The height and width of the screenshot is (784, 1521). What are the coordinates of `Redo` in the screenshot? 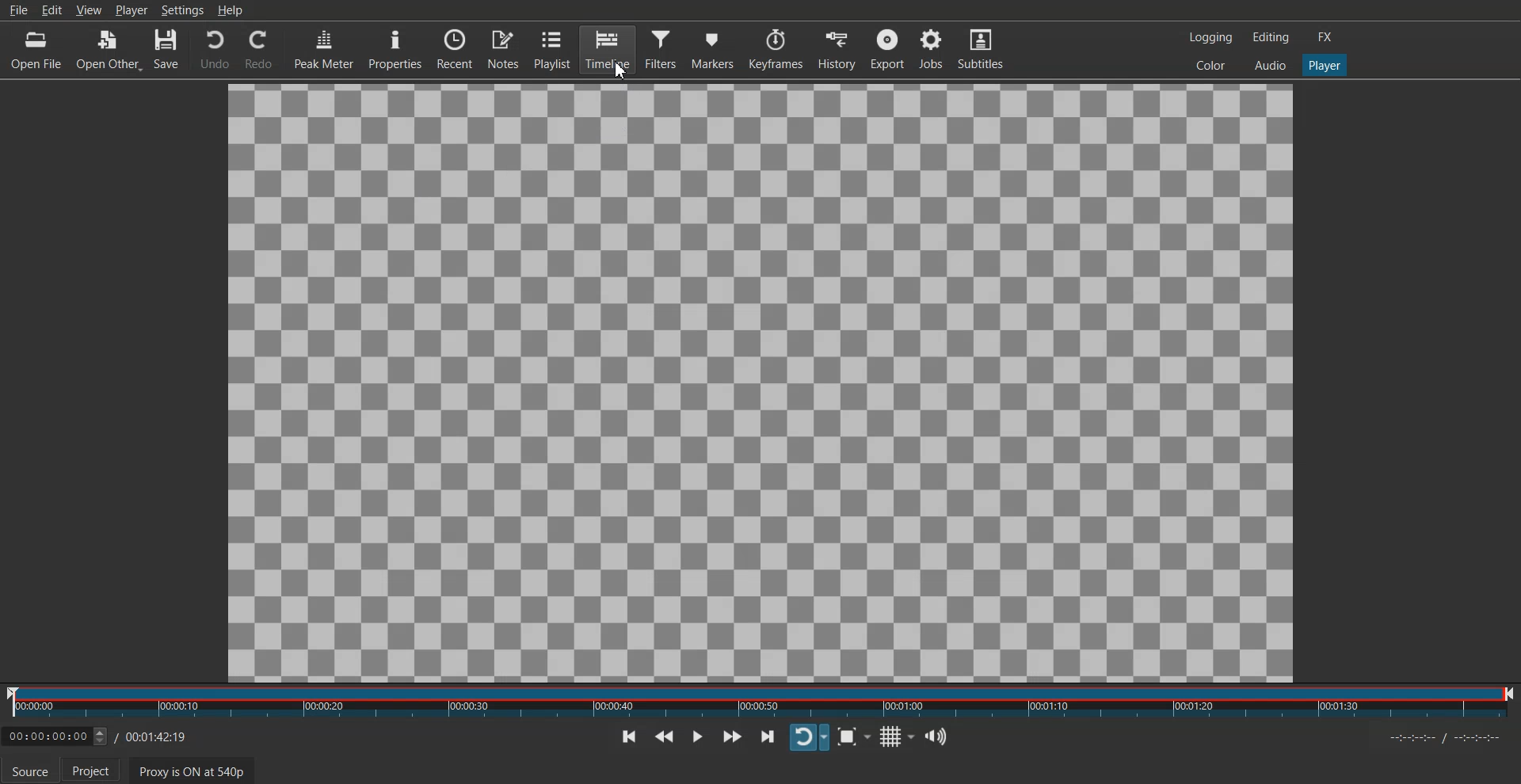 It's located at (259, 50).